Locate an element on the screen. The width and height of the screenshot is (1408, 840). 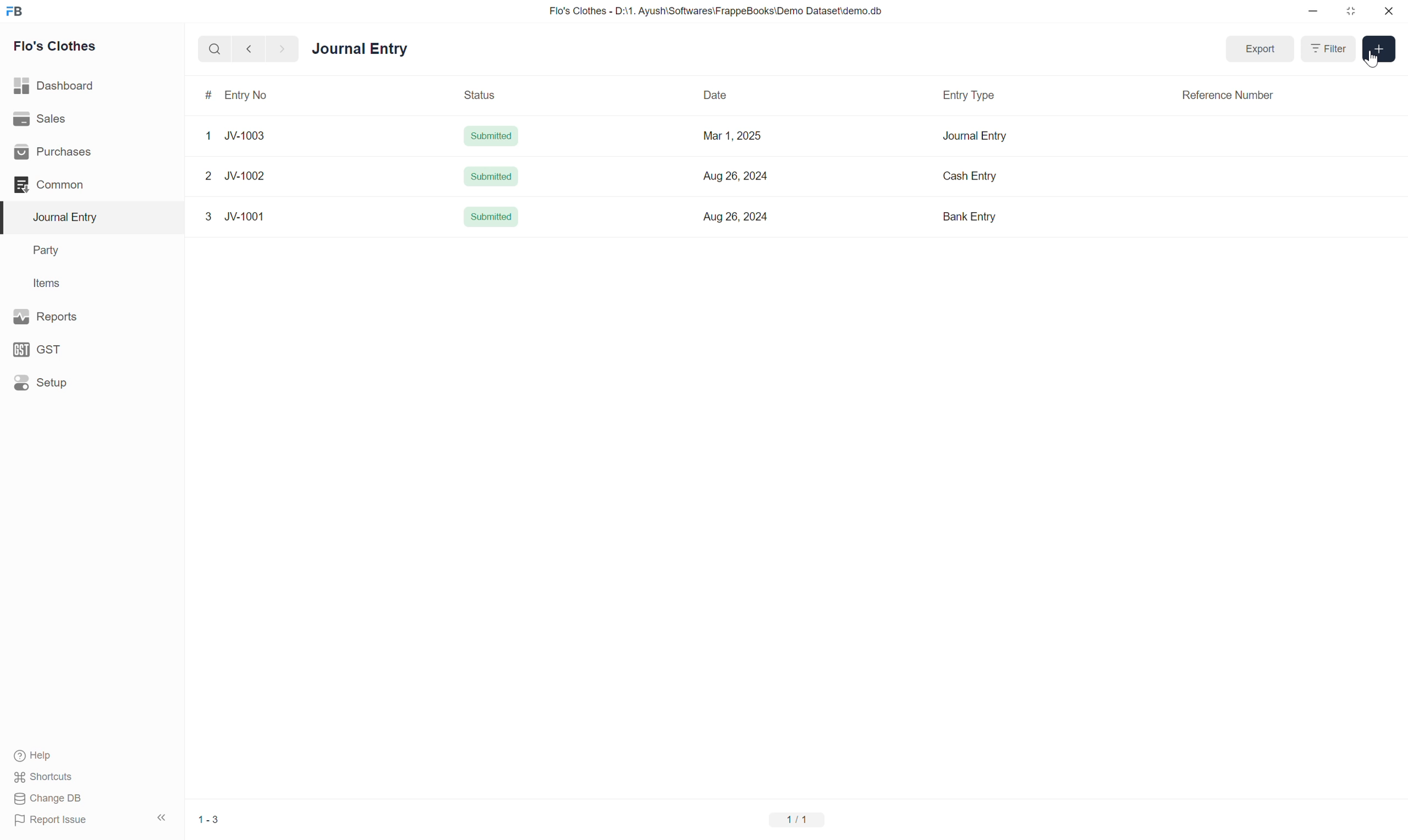
JV-1003 is located at coordinates (245, 137).